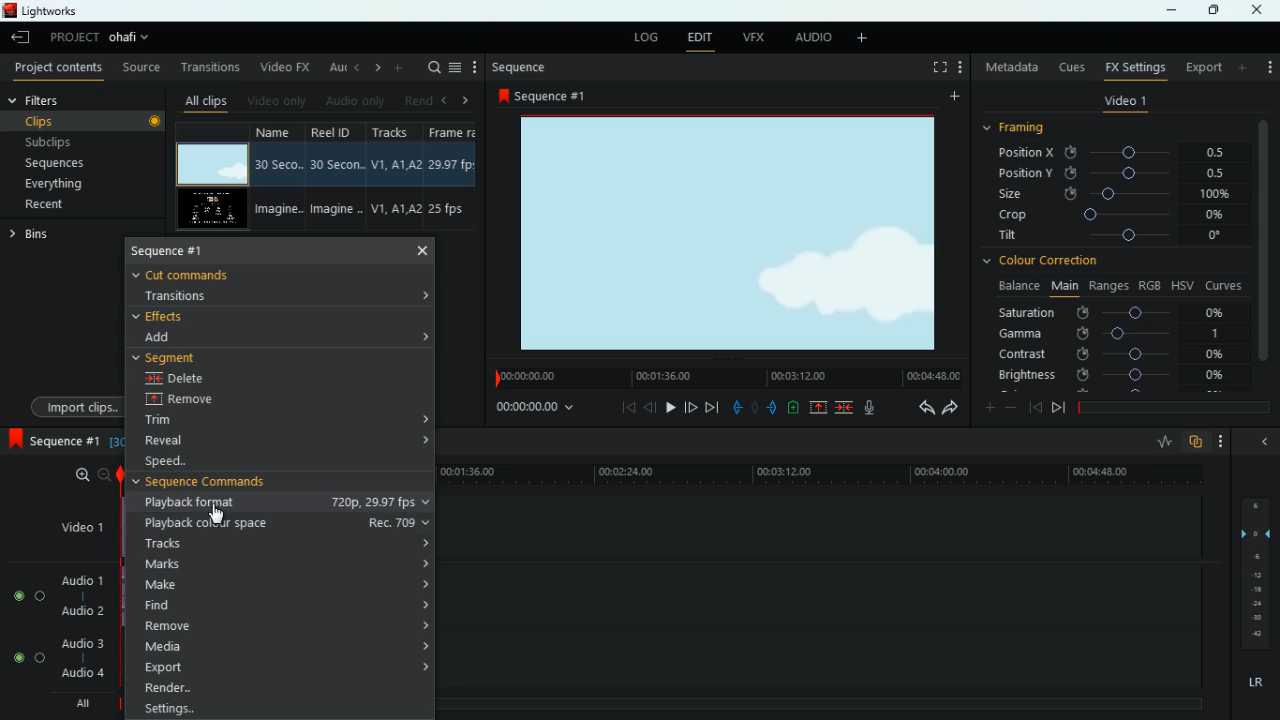 The image size is (1280, 720). I want to click on reel id, so click(334, 179).